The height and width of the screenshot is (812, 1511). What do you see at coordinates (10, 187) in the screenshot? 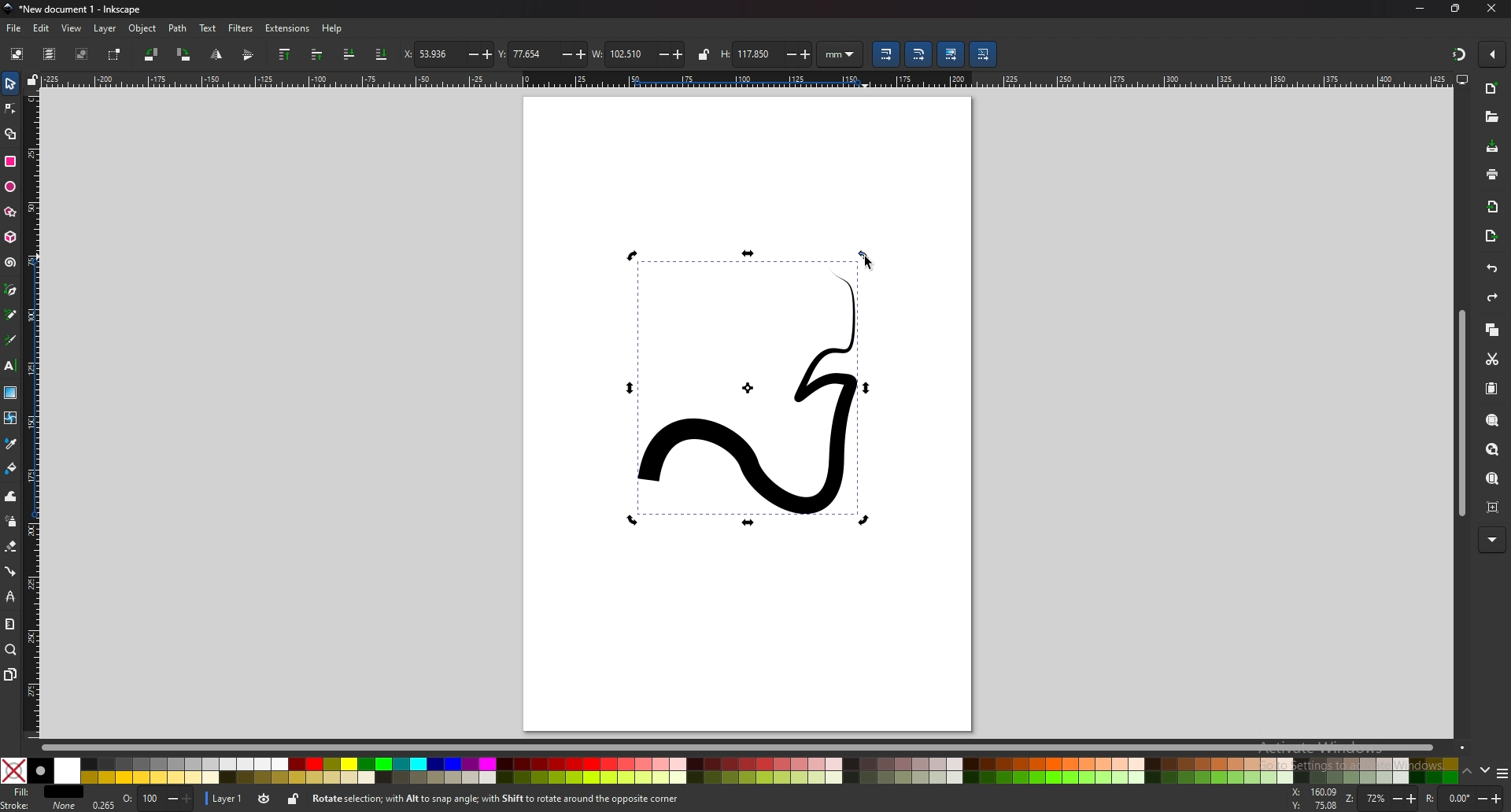
I see `ellipse` at bounding box center [10, 187].